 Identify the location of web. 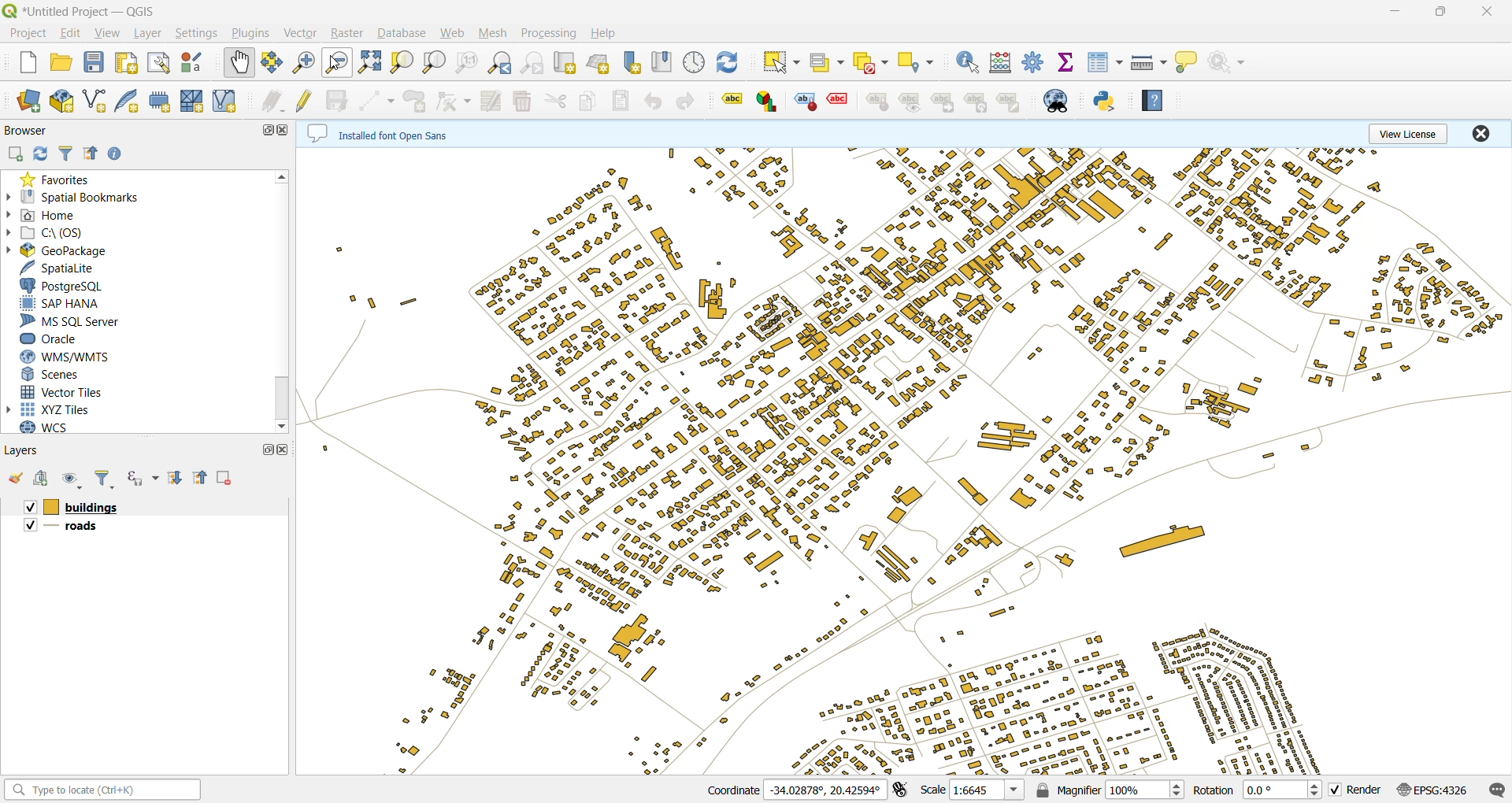
(456, 35).